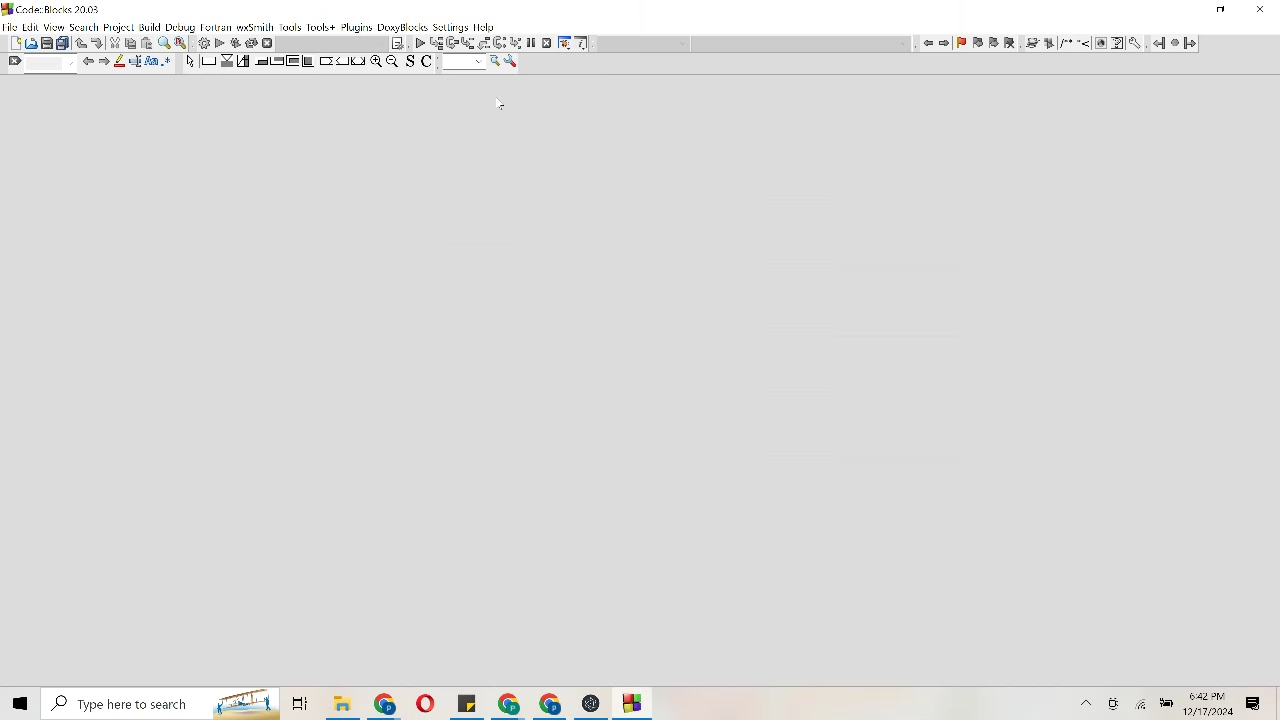 Image resolution: width=1280 pixels, height=720 pixels. What do you see at coordinates (260, 61) in the screenshot?
I see `Move to corners` at bounding box center [260, 61].